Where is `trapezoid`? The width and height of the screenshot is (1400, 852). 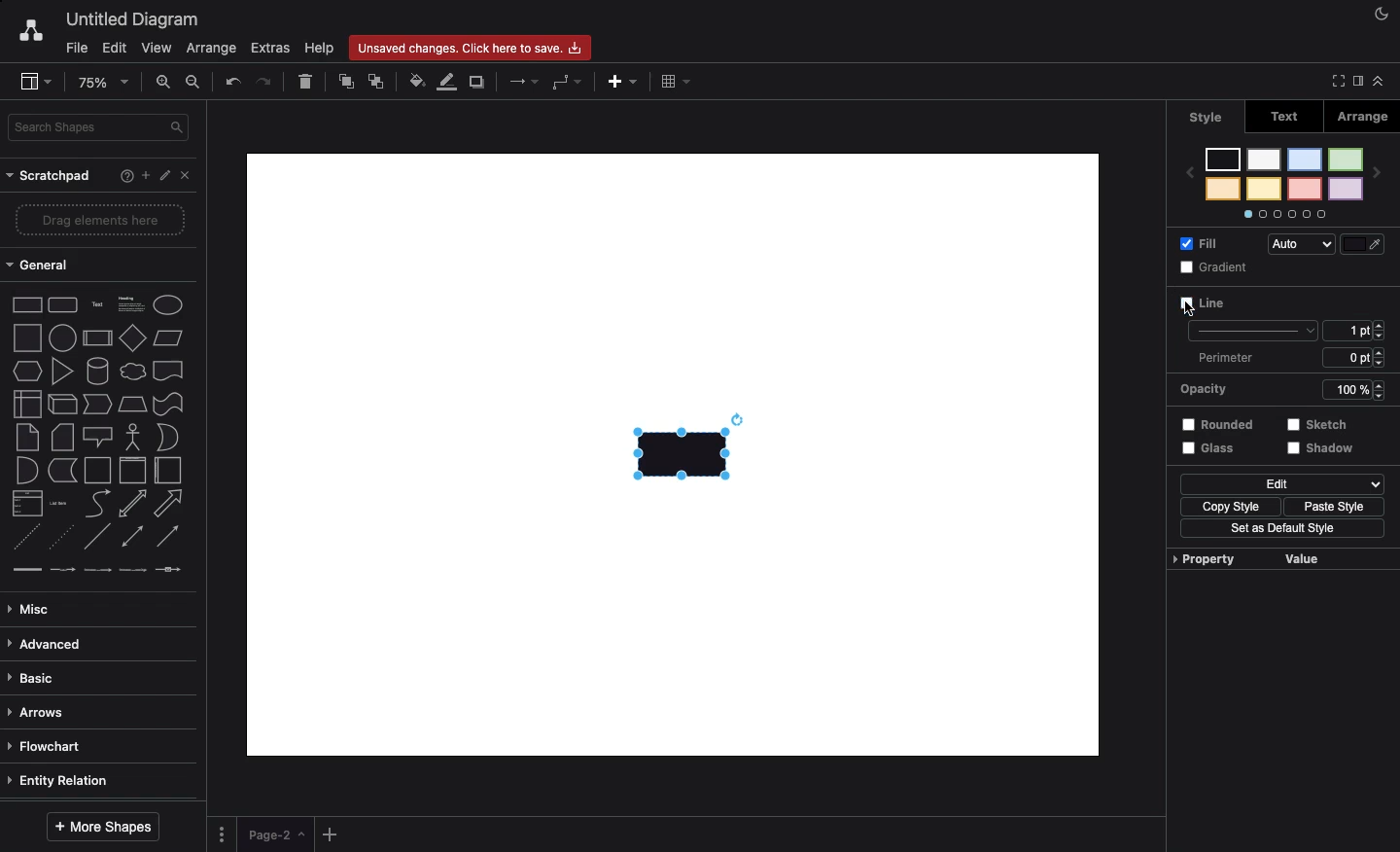
trapezoid is located at coordinates (129, 406).